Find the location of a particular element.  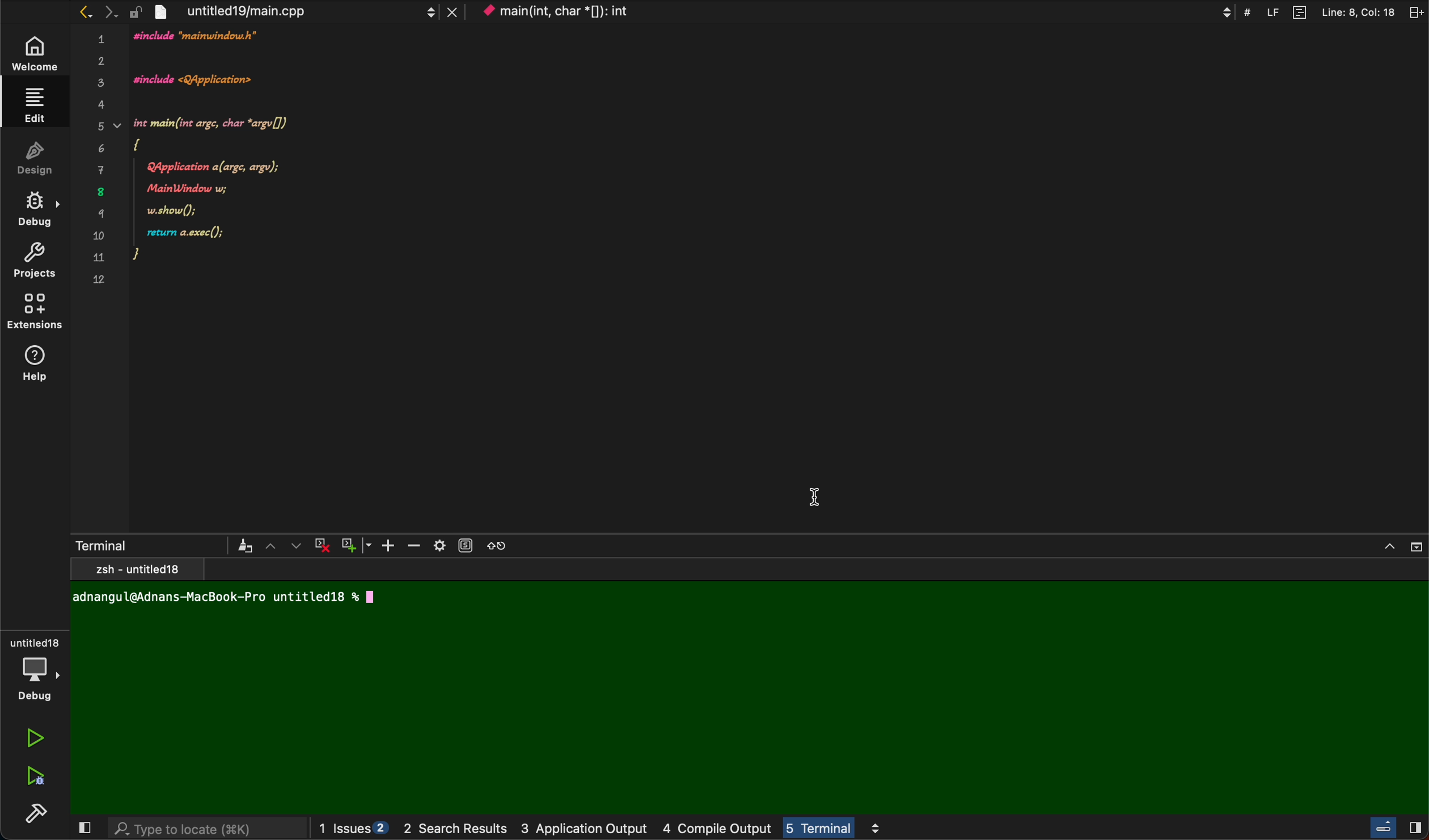

welcome is located at coordinates (32, 55).